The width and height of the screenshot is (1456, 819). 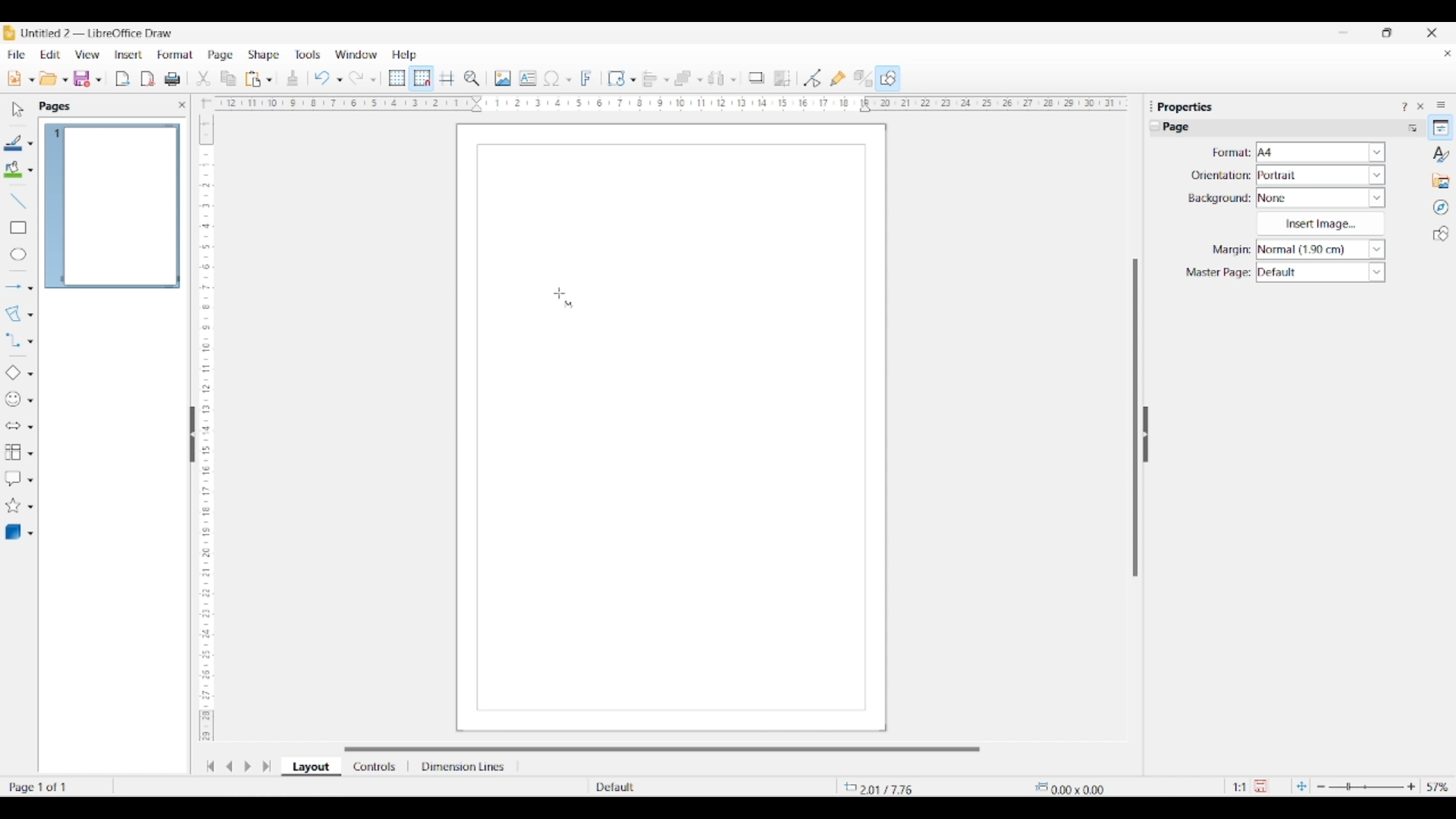 I want to click on Basic shape options, so click(x=30, y=374).